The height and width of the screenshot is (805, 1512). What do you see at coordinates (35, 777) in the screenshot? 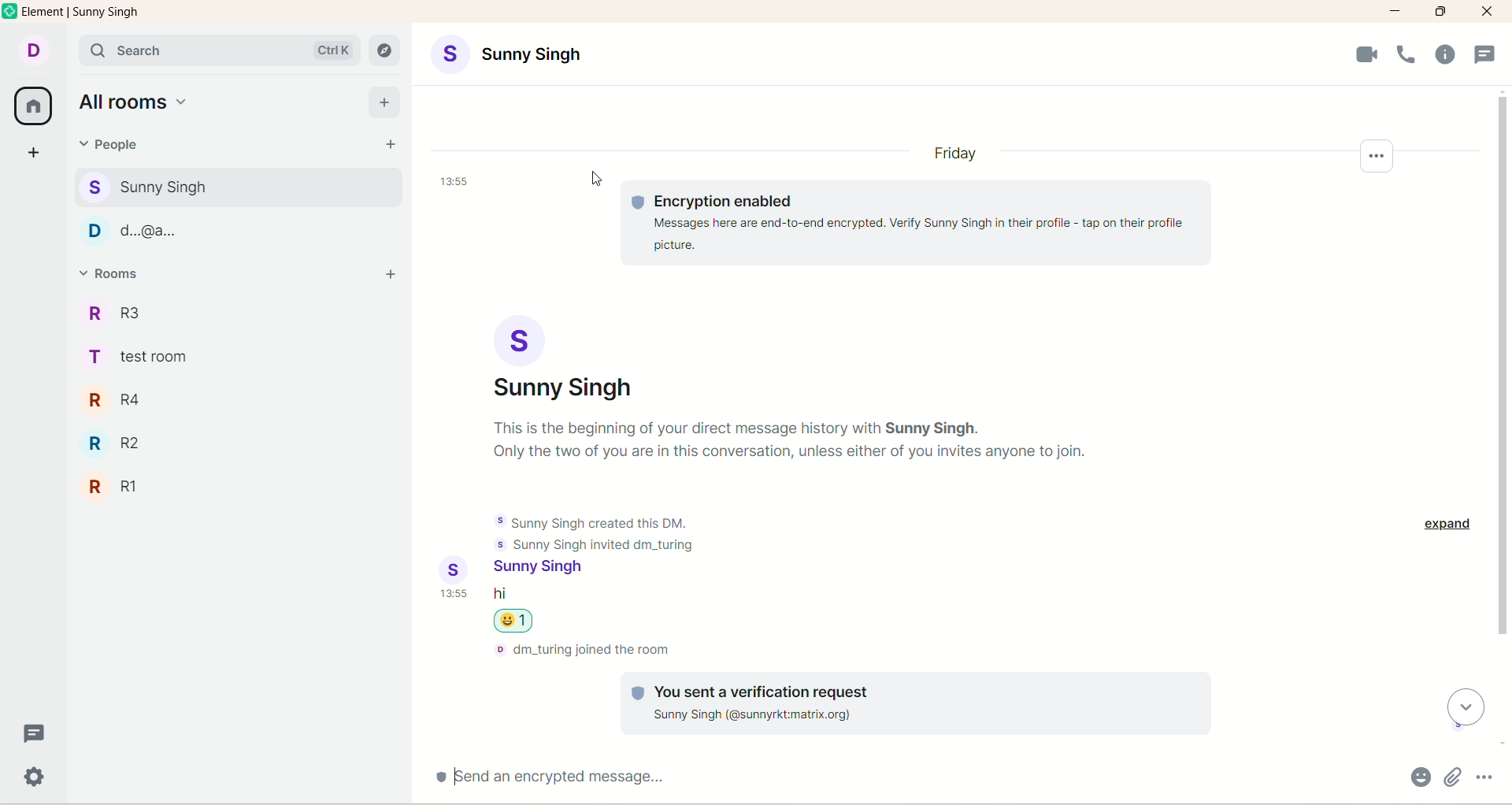
I see `settings` at bounding box center [35, 777].